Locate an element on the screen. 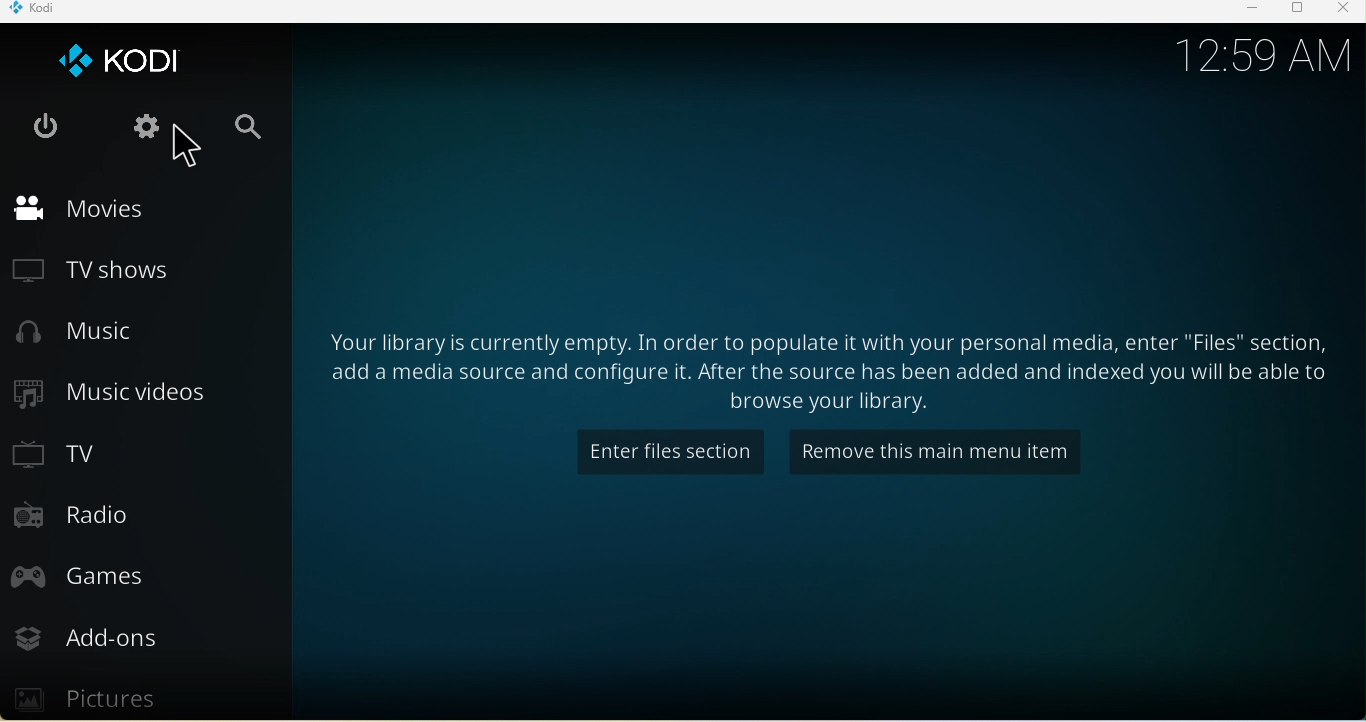 This screenshot has height=722, width=1366. Exit is located at coordinates (42, 132).